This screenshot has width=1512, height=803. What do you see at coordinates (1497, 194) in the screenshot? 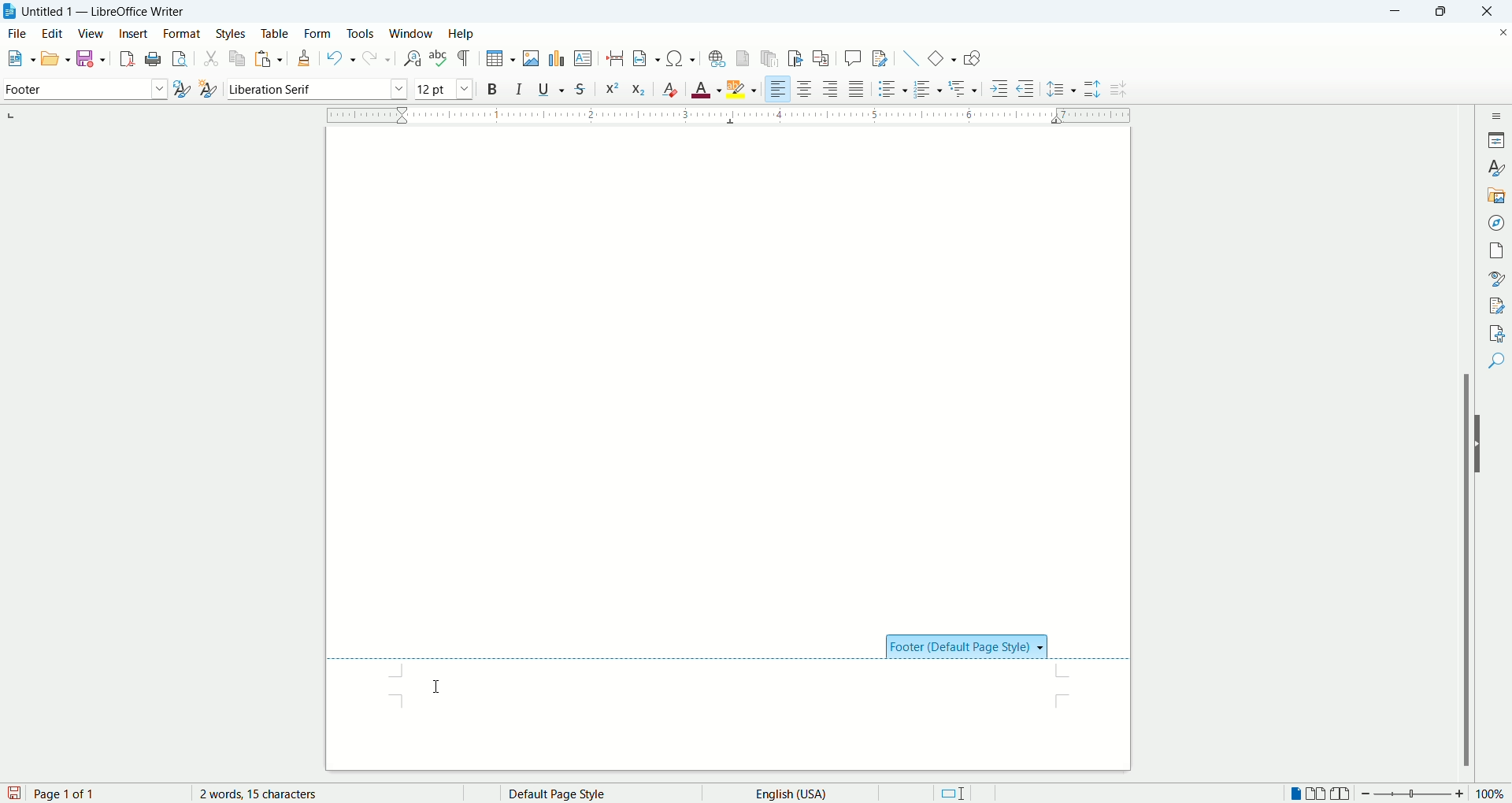
I see `gallery` at bounding box center [1497, 194].